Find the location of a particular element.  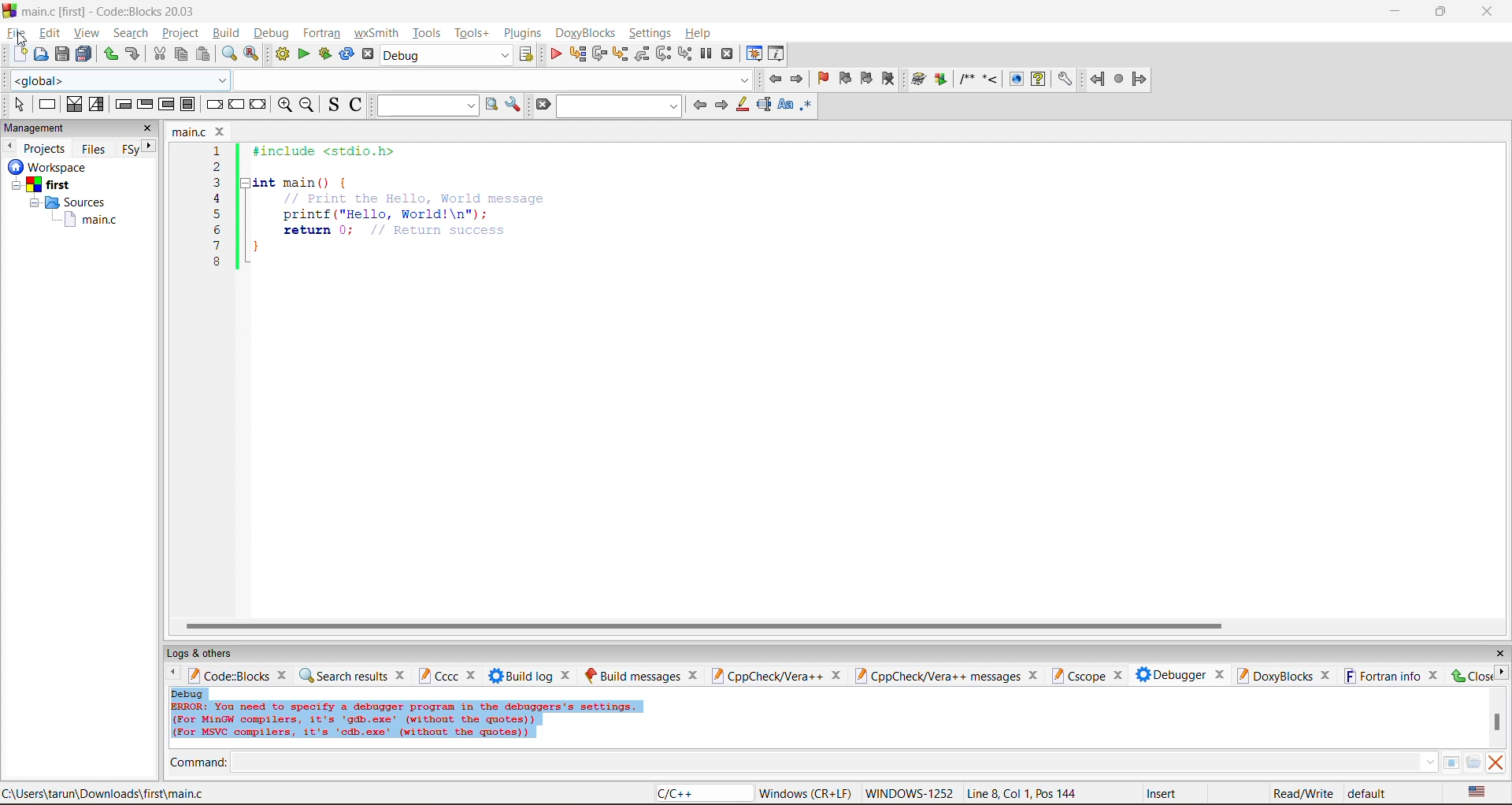

close is located at coordinates (1435, 675).